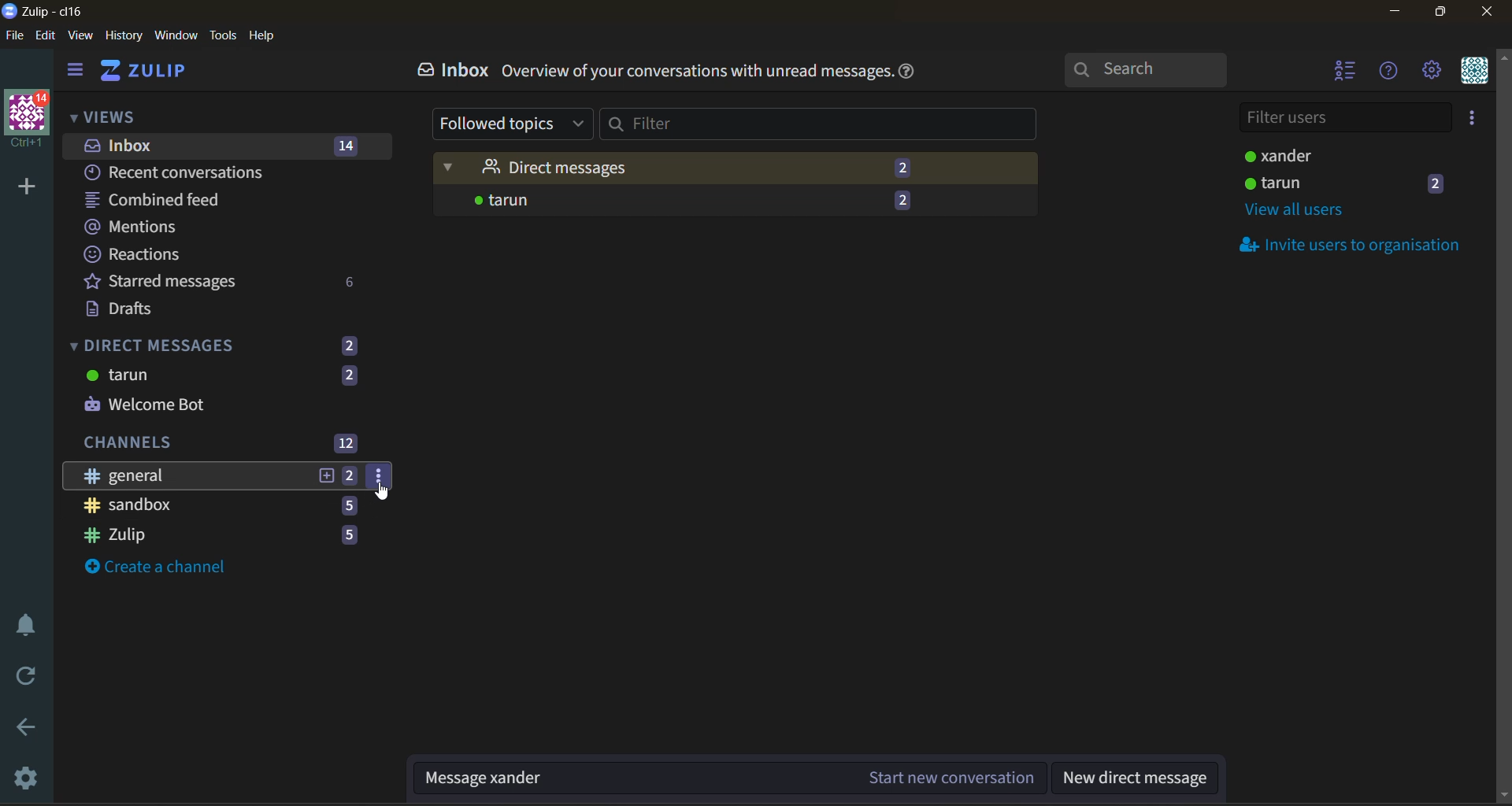 The height and width of the screenshot is (806, 1512). Describe the element at coordinates (262, 37) in the screenshot. I see `help` at that location.